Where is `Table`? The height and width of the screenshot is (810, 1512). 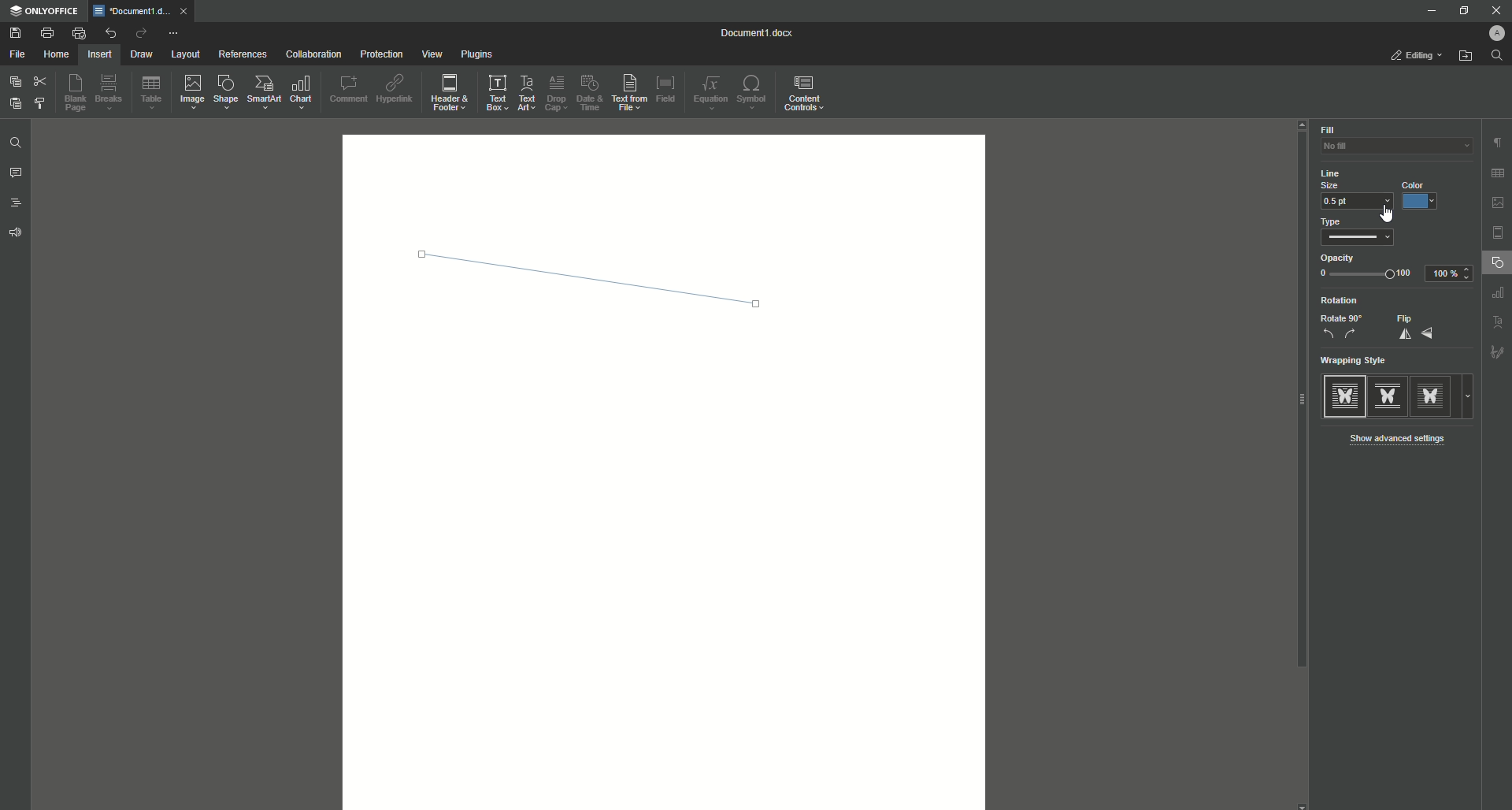
Table is located at coordinates (152, 95).